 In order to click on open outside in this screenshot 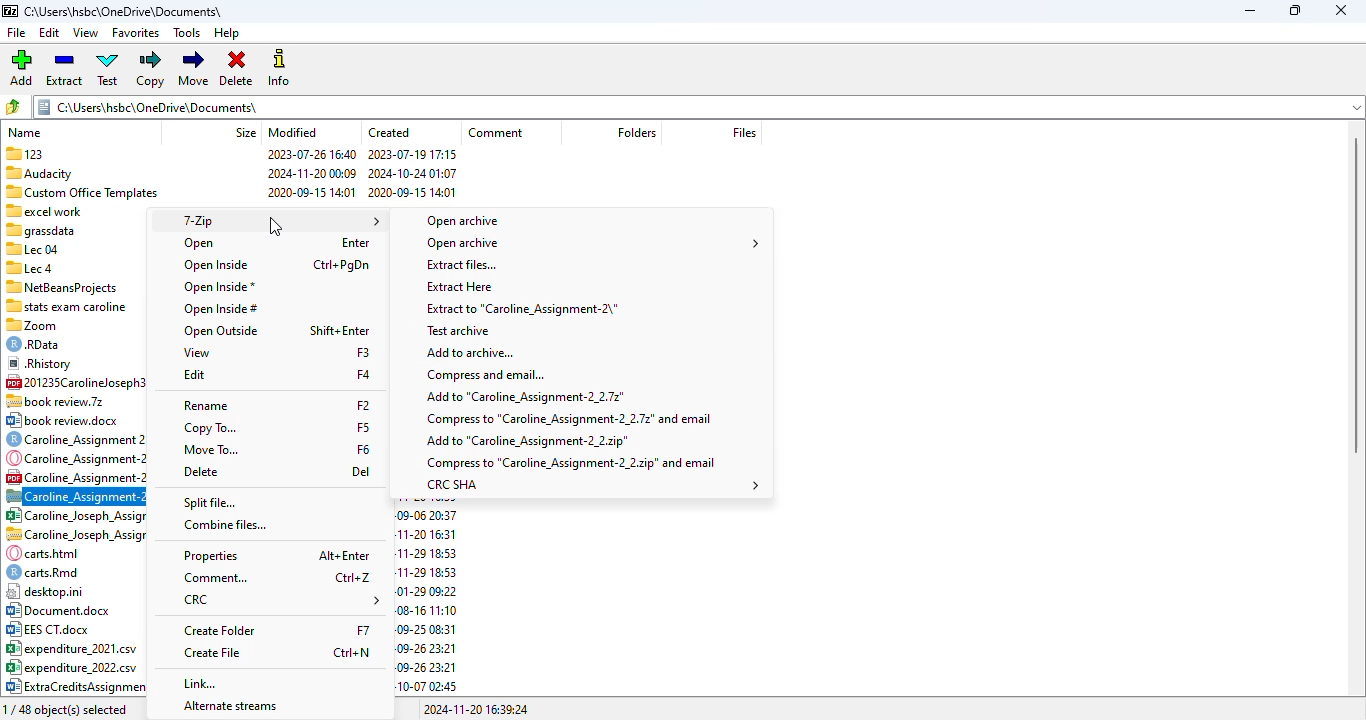, I will do `click(221, 331)`.